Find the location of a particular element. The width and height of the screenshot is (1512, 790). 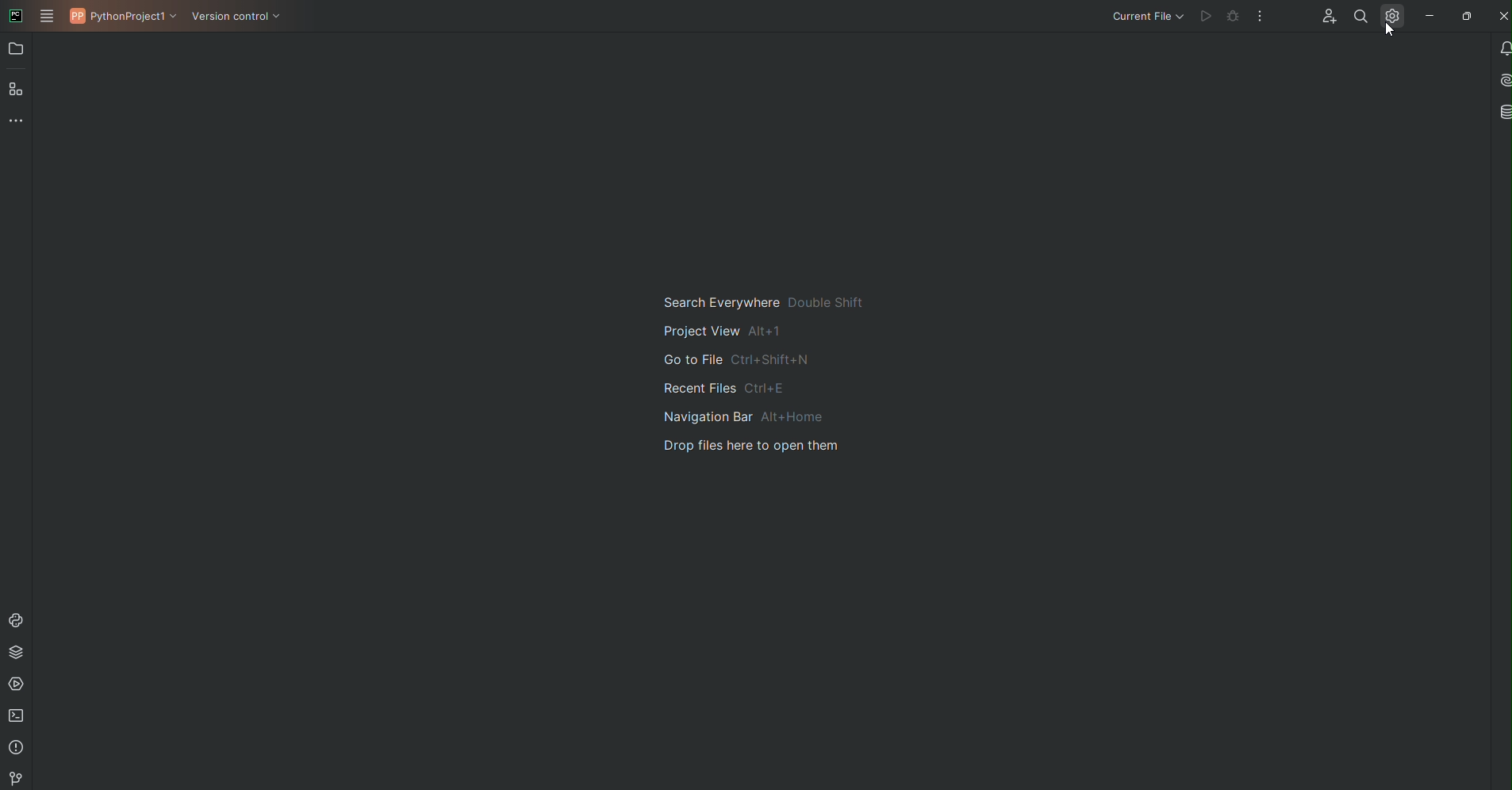

go to file is located at coordinates (735, 359).